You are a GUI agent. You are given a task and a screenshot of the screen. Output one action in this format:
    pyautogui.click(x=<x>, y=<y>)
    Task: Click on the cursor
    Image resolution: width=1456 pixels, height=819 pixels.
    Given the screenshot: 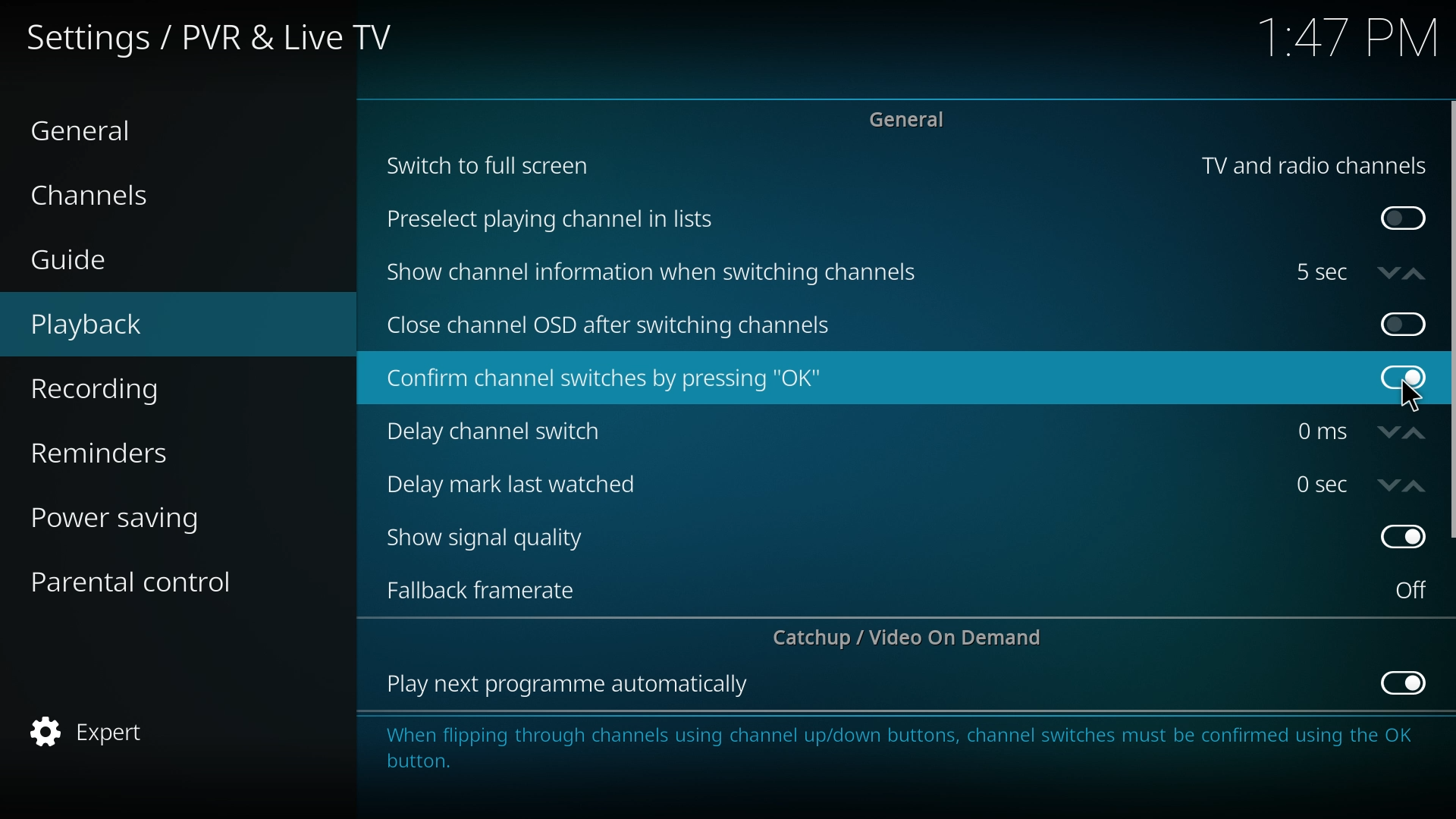 What is the action you would take?
    pyautogui.click(x=1412, y=397)
    